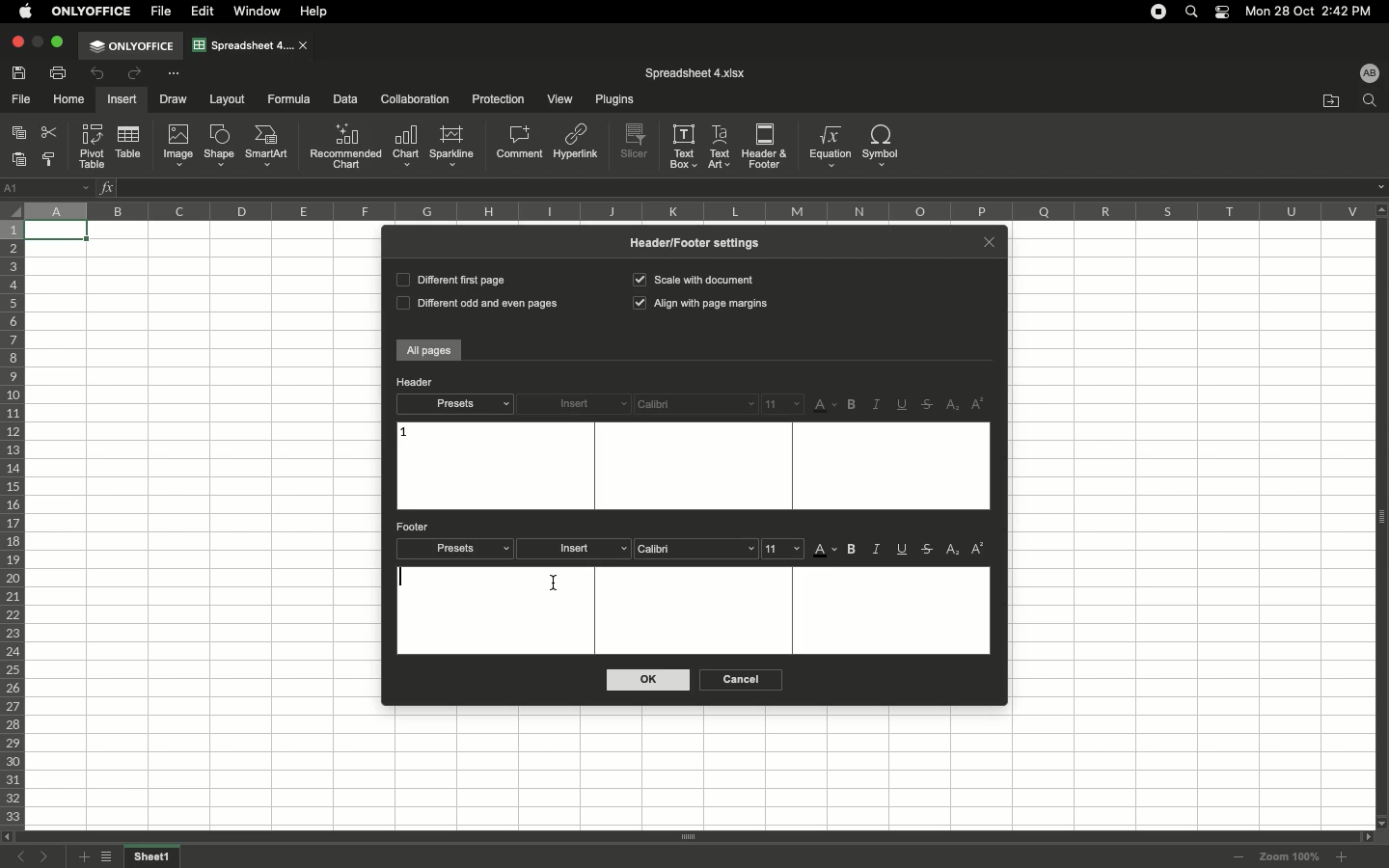  What do you see at coordinates (612, 100) in the screenshot?
I see `Plugins` at bounding box center [612, 100].